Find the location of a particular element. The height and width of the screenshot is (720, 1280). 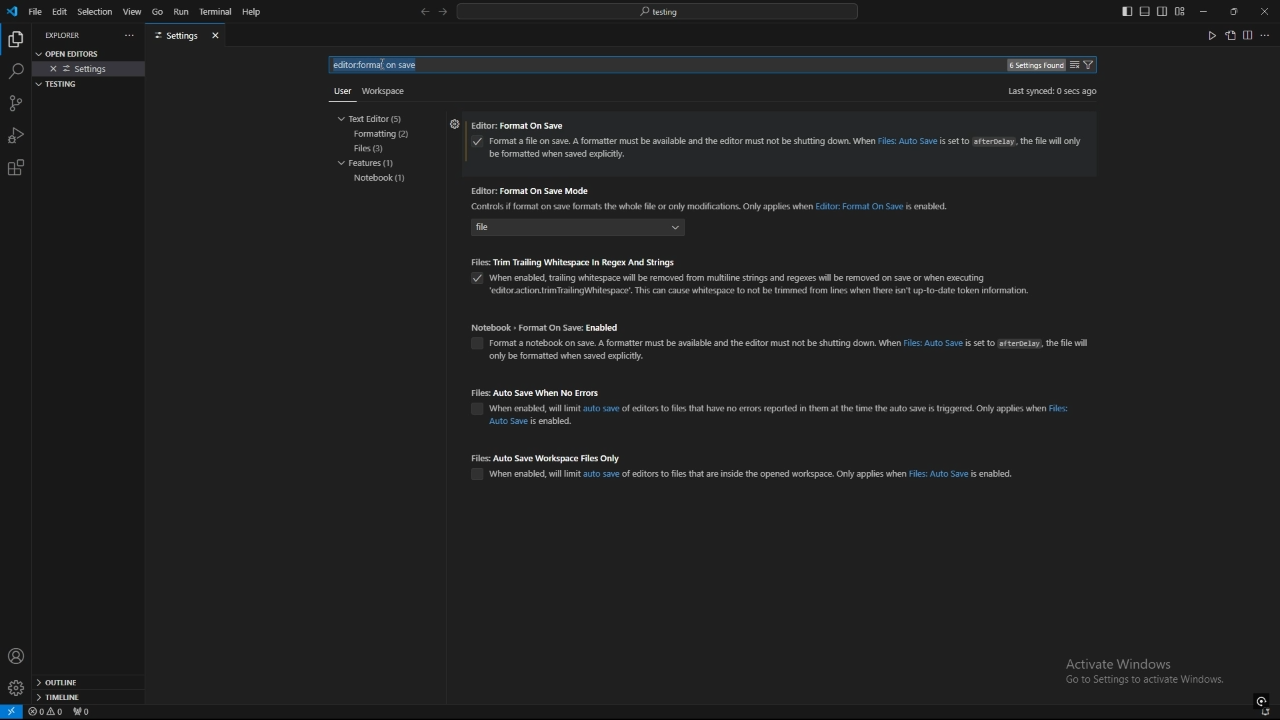

file is located at coordinates (594, 230).